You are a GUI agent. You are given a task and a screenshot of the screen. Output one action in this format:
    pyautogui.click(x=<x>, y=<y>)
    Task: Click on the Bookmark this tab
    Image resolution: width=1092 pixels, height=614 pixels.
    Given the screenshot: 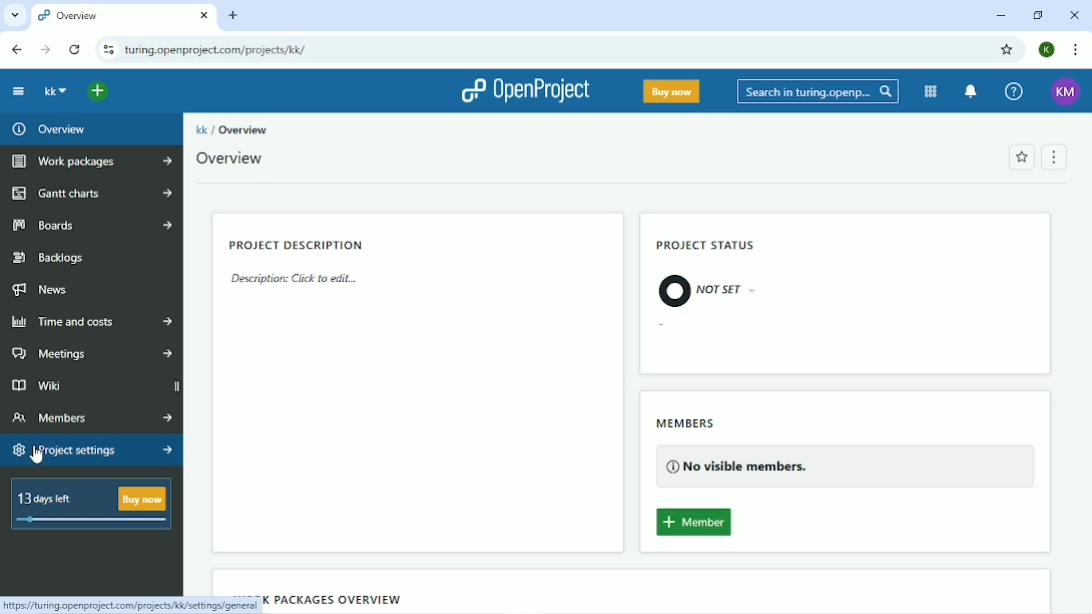 What is the action you would take?
    pyautogui.click(x=1007, y=49)
    